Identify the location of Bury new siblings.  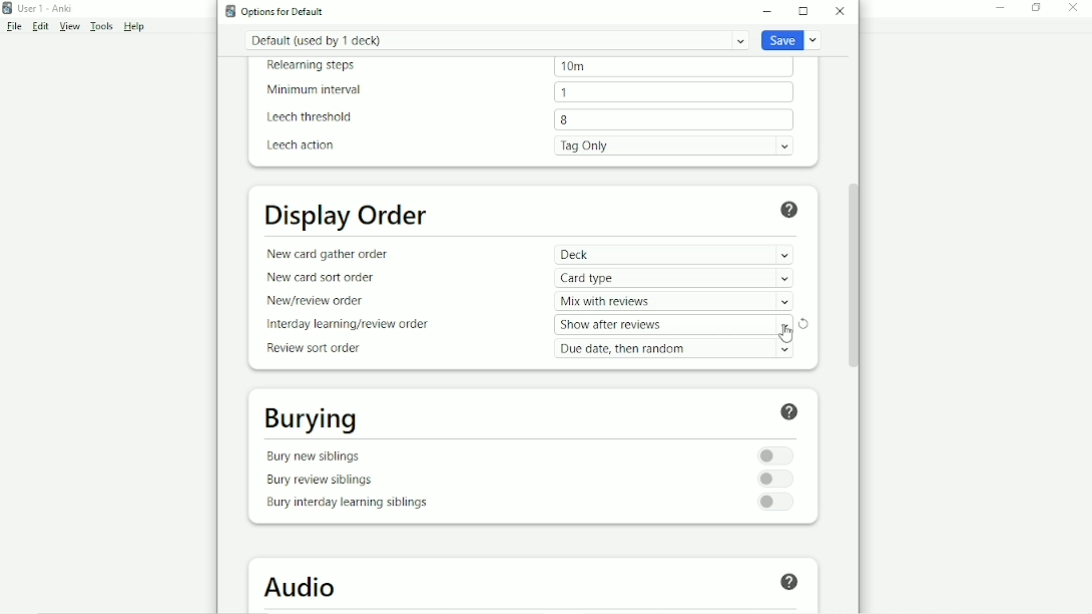
(317, 455).